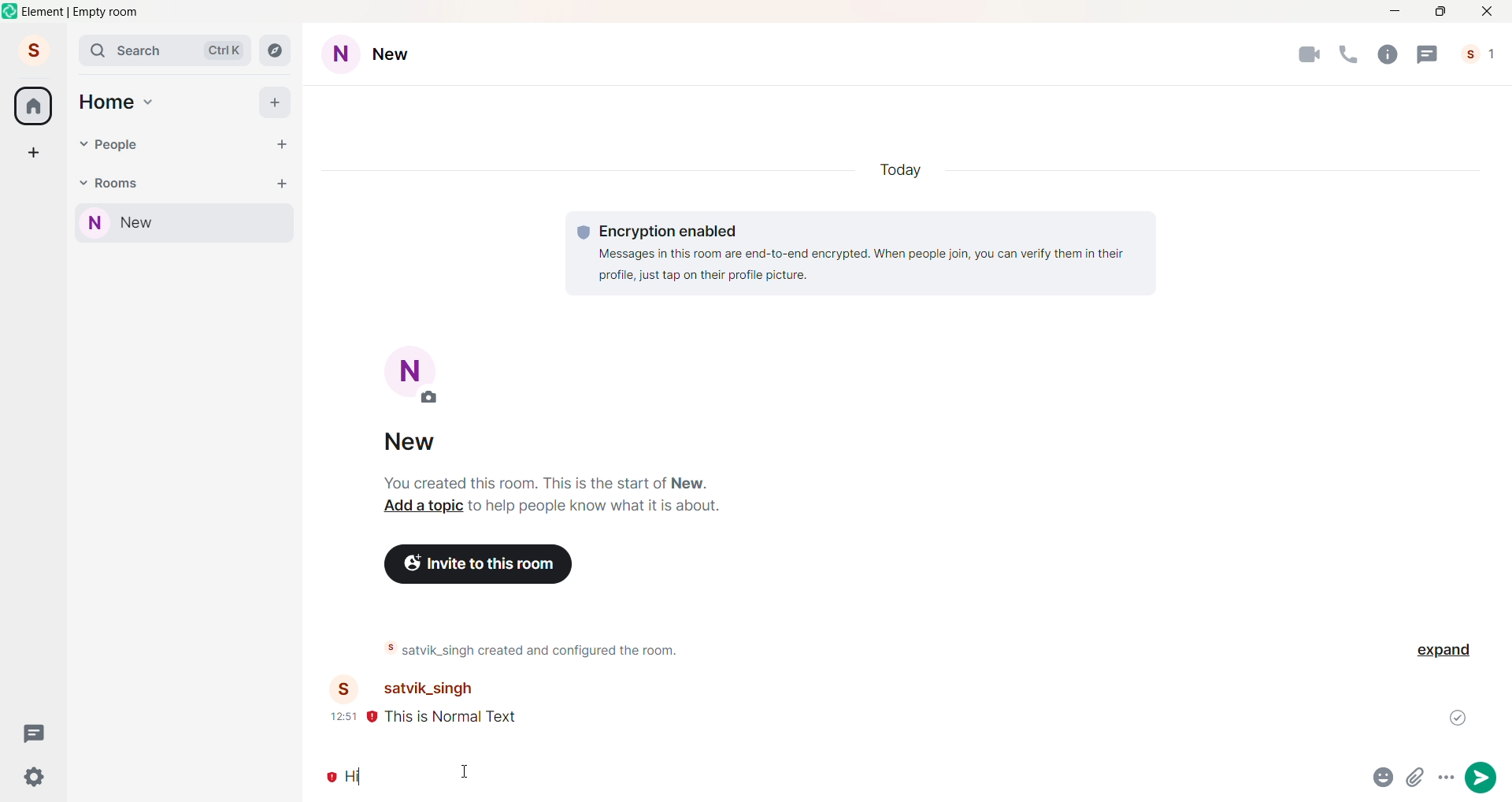 This screenshot has height=802, width=1512. I want to click on Maximize, so click(1440, 12).